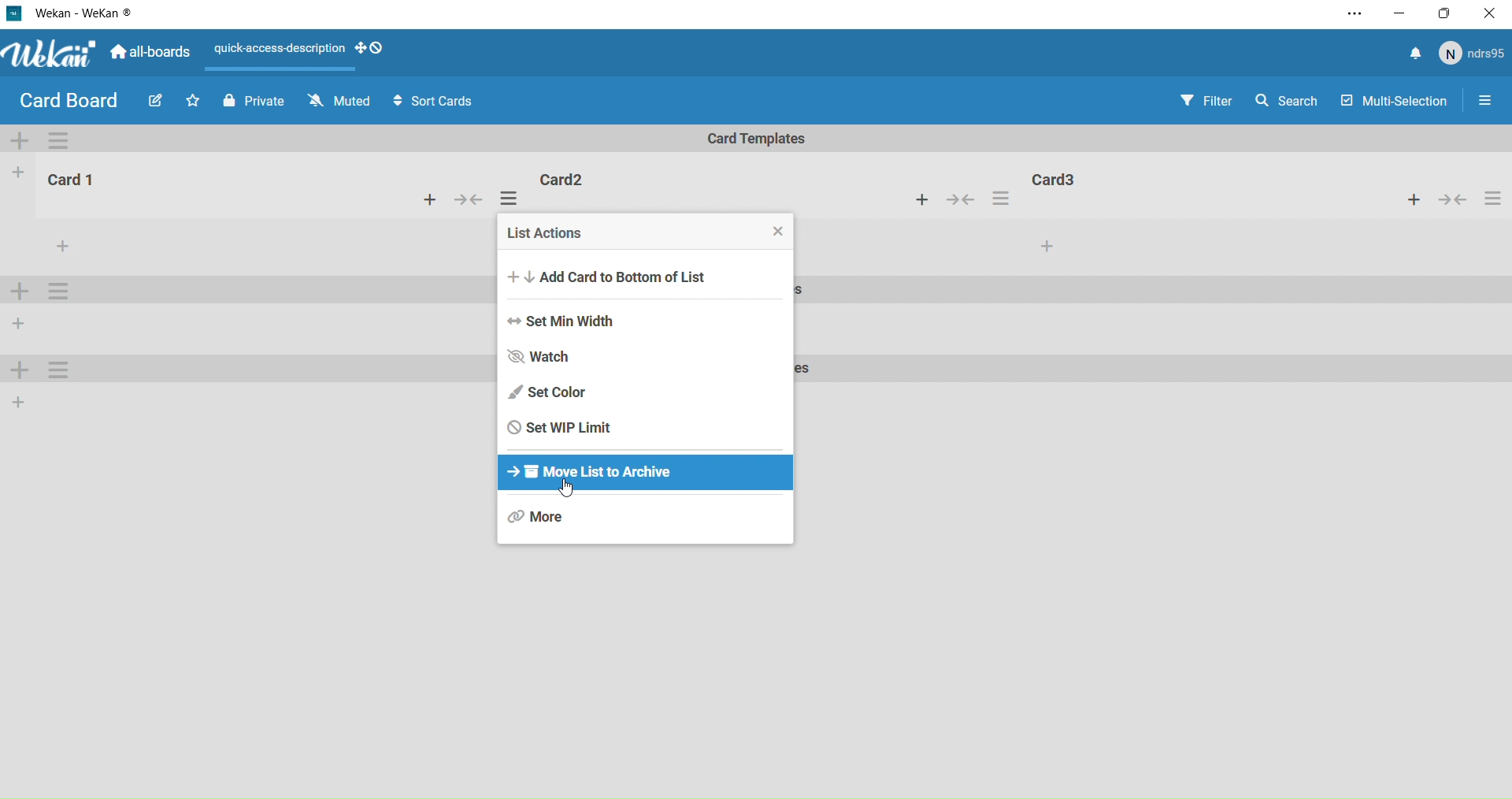  I want to click on cursor, so click(571, 489).